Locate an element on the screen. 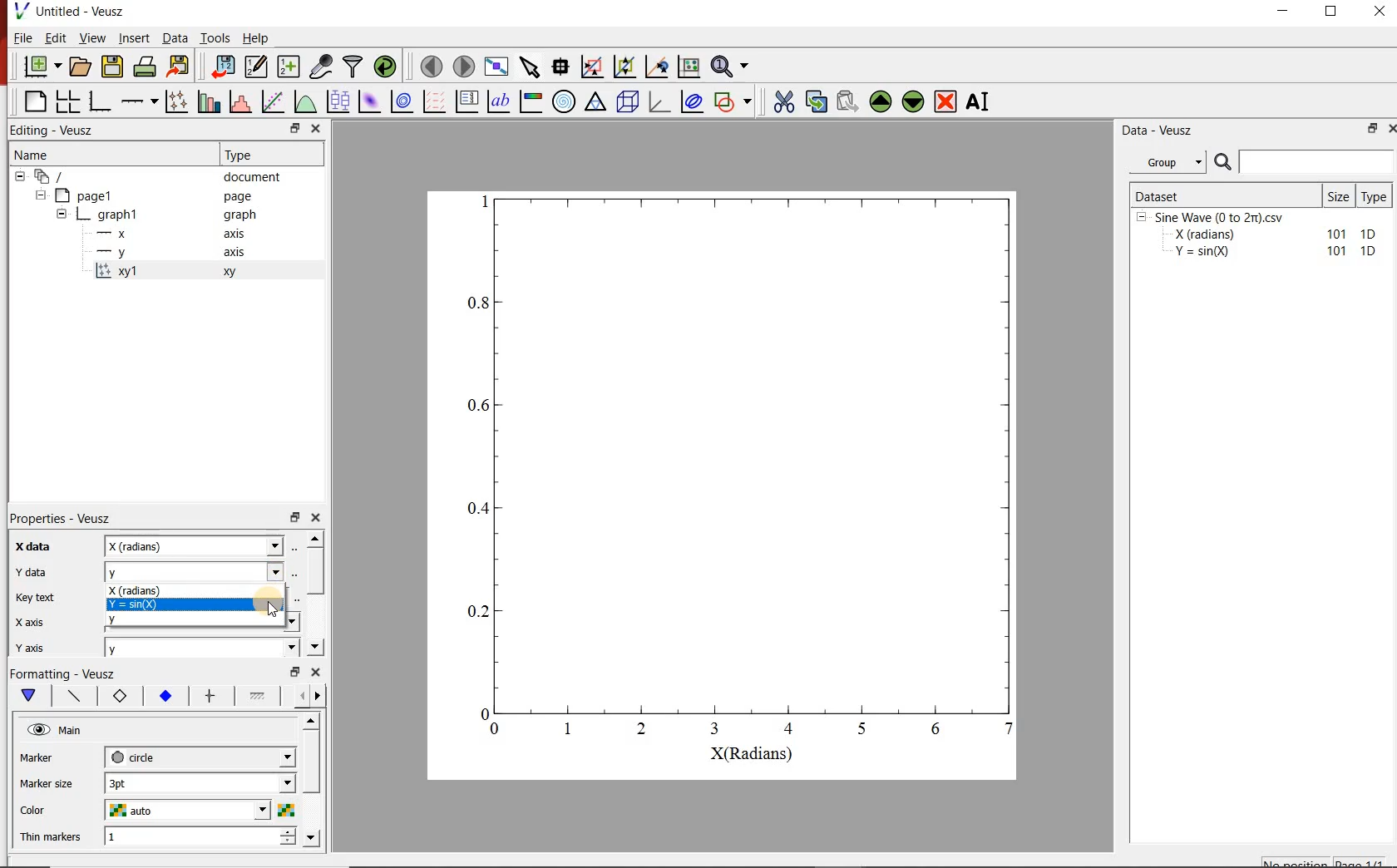 The width and height of the screenshot is (1397, 868). Properties - Veusz is located at coordinates (62, 518).